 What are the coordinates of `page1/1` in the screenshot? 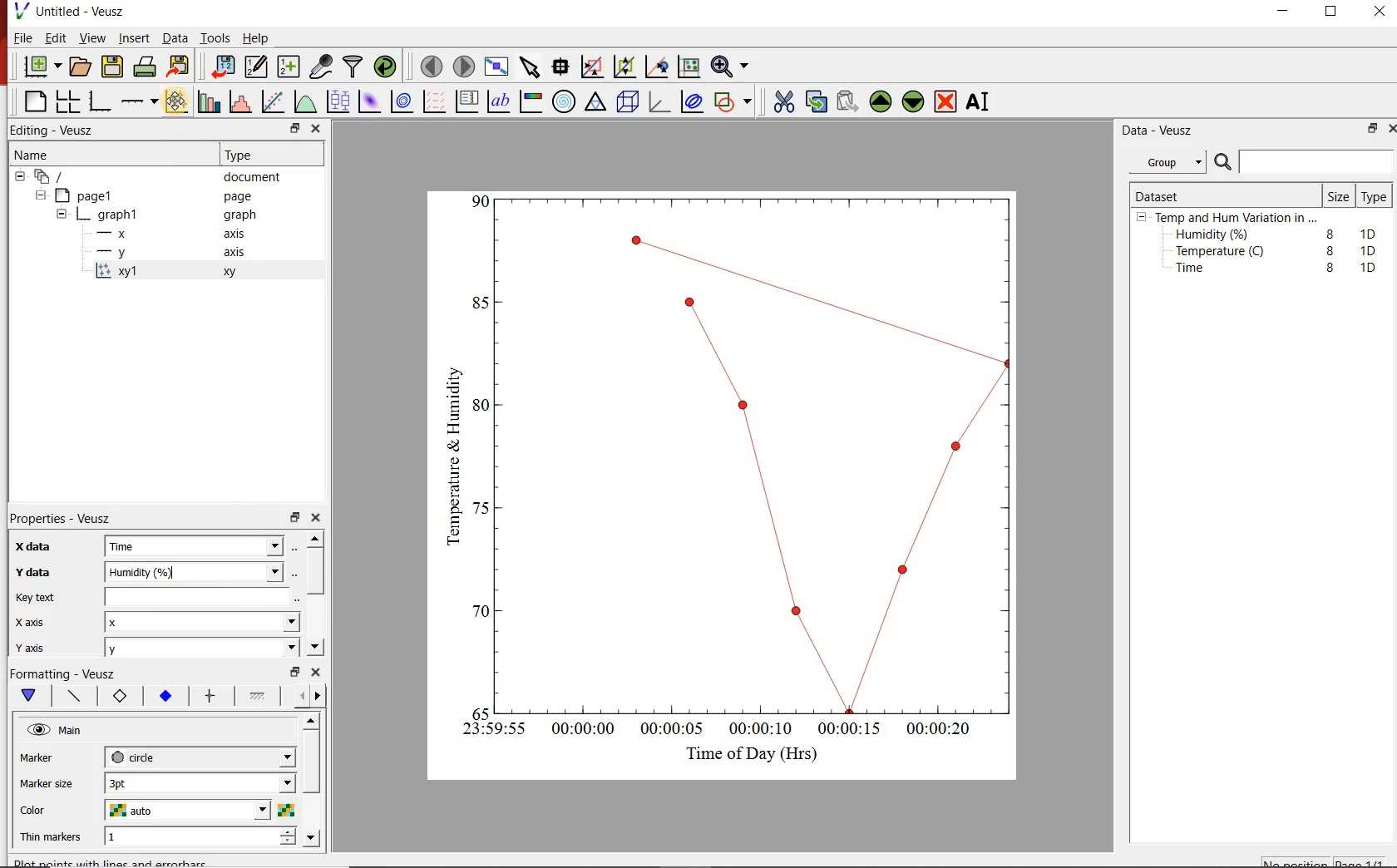 It's located at (1365, 861).